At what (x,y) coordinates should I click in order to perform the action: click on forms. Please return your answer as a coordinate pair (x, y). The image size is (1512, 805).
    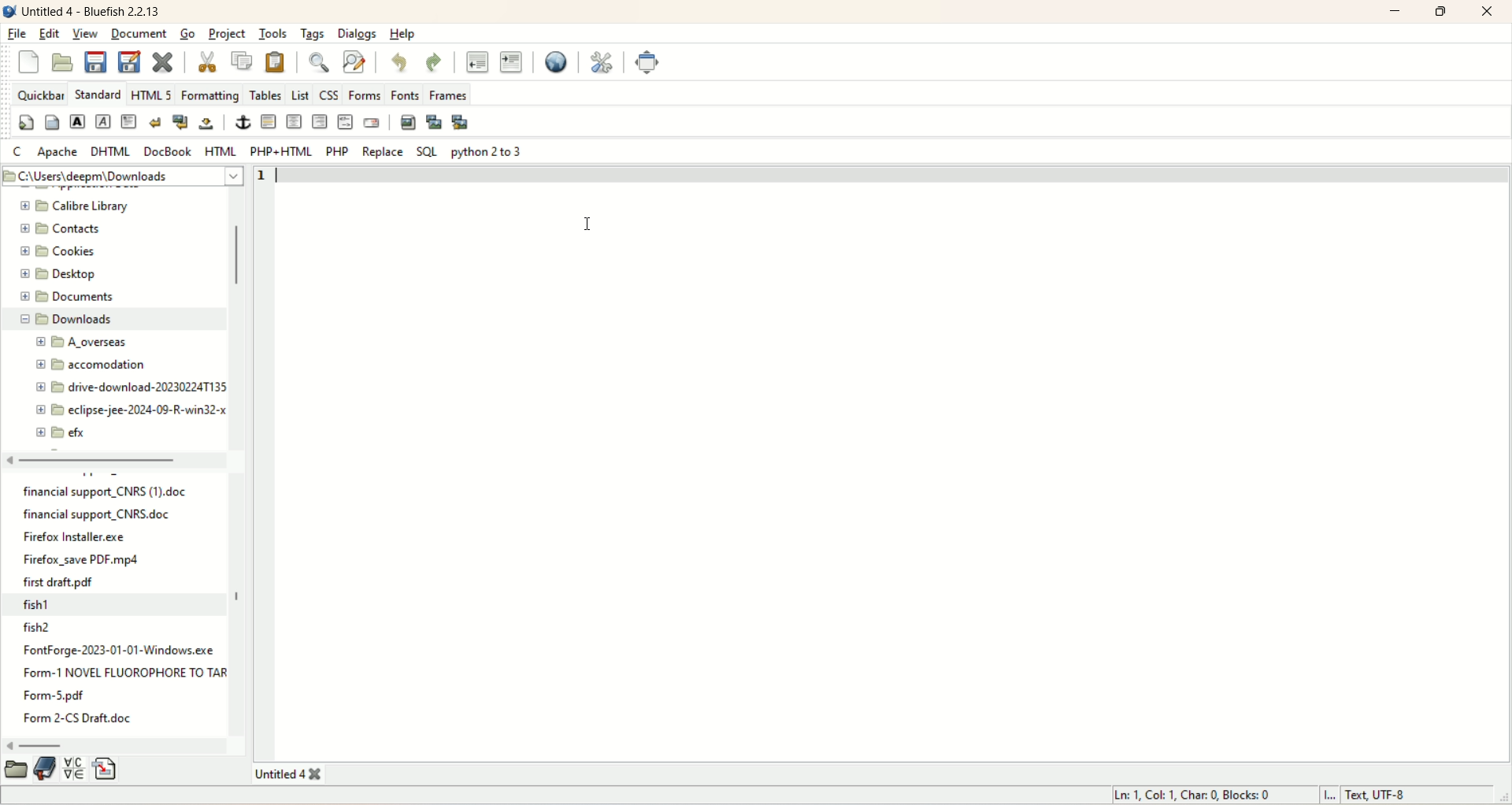
    Looking at the image, I should click on (365, 94).